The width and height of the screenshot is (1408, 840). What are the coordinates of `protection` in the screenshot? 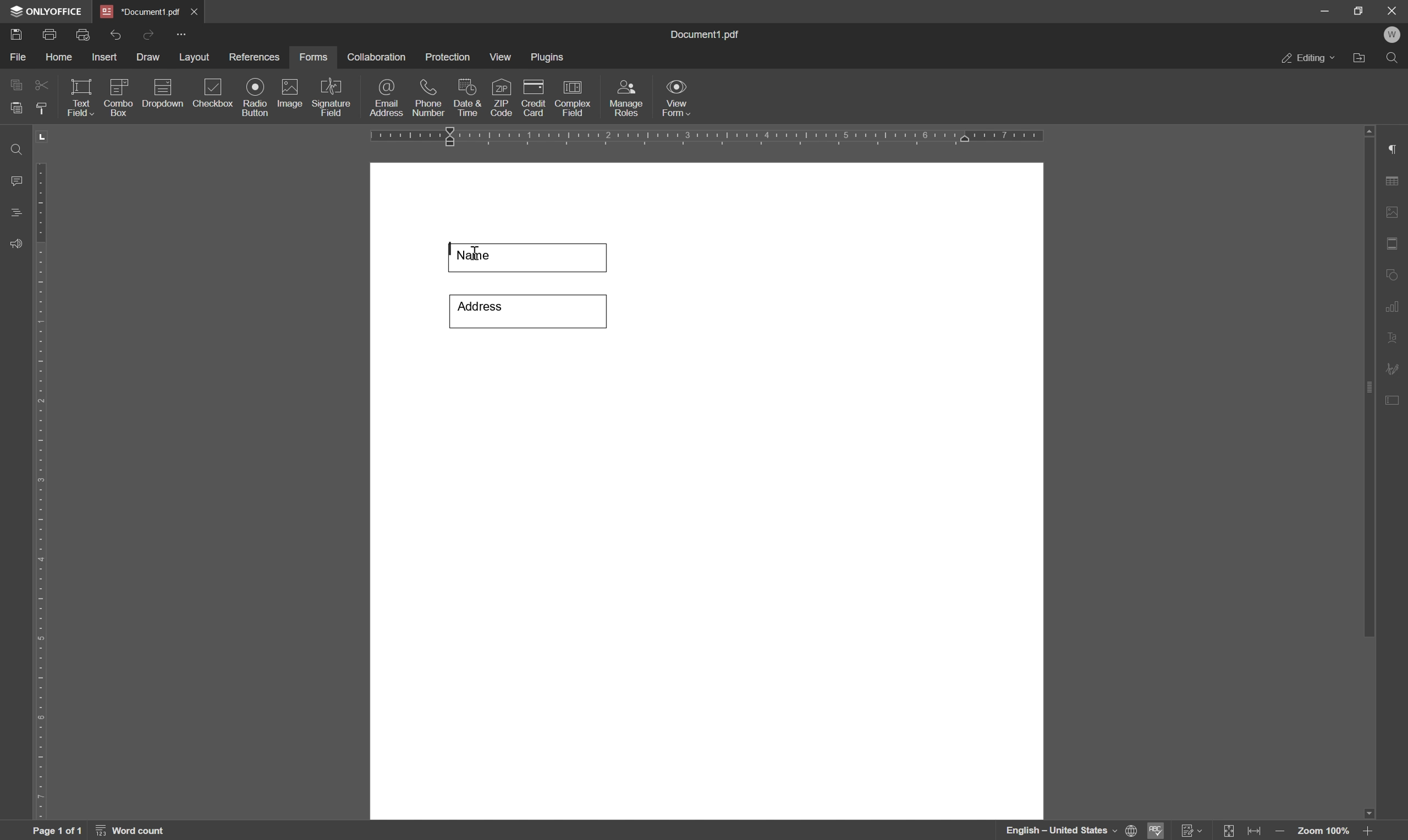 It's located at (448, 57).